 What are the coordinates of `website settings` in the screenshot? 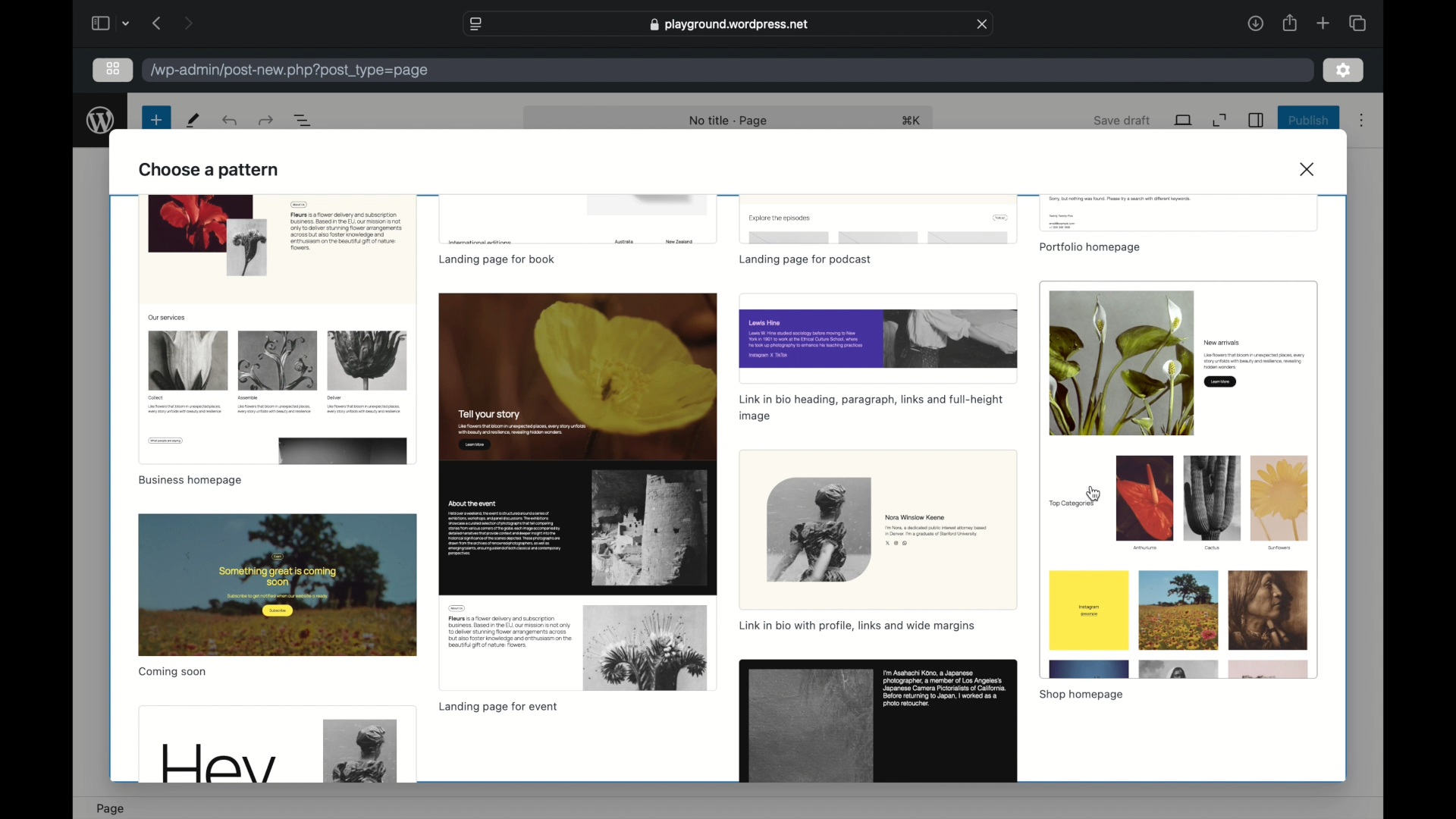 It's located at (475, 23).